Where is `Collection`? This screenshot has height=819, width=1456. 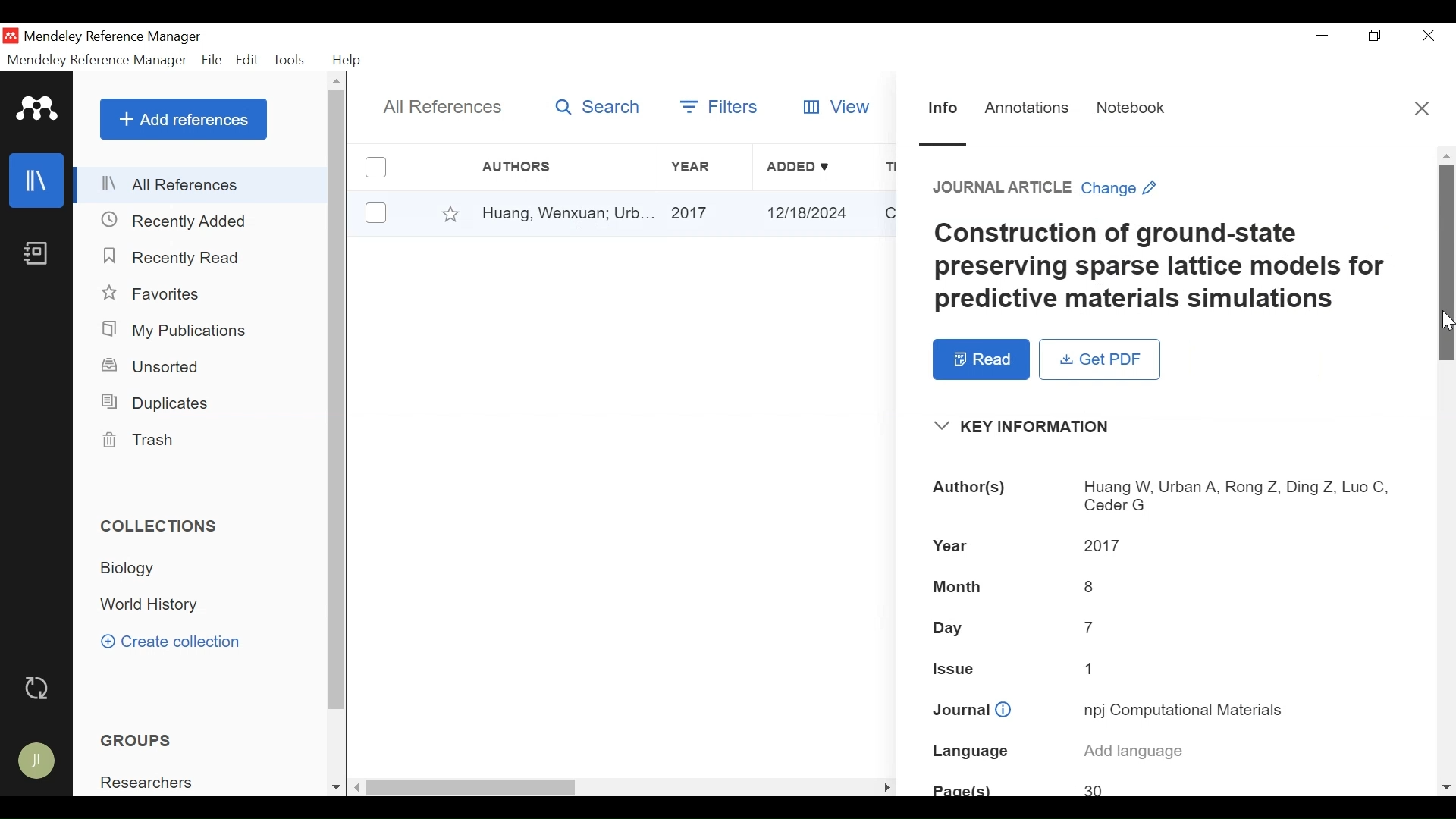 Collection is located at coordinates (144, 570).